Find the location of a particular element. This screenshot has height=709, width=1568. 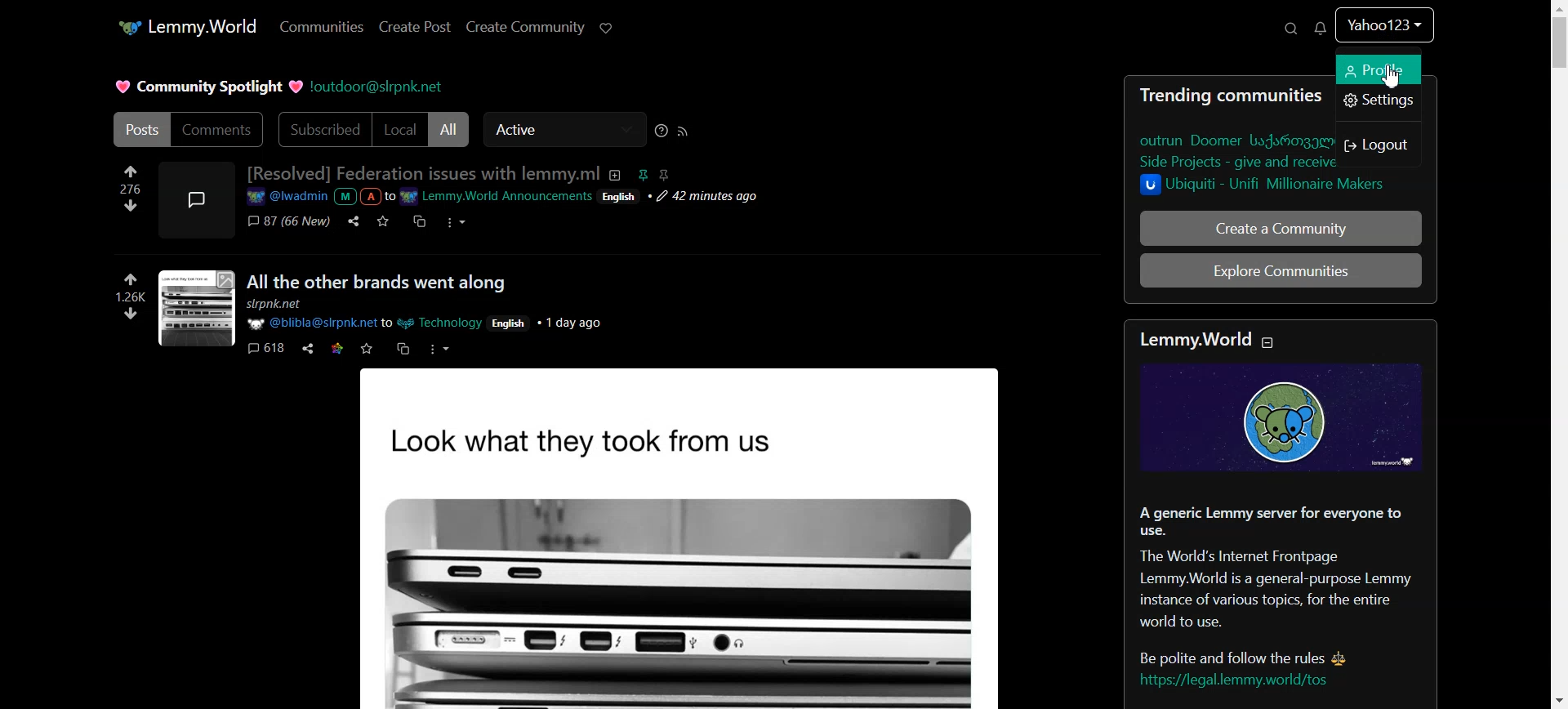

2 is located at coordinates (339, 349).